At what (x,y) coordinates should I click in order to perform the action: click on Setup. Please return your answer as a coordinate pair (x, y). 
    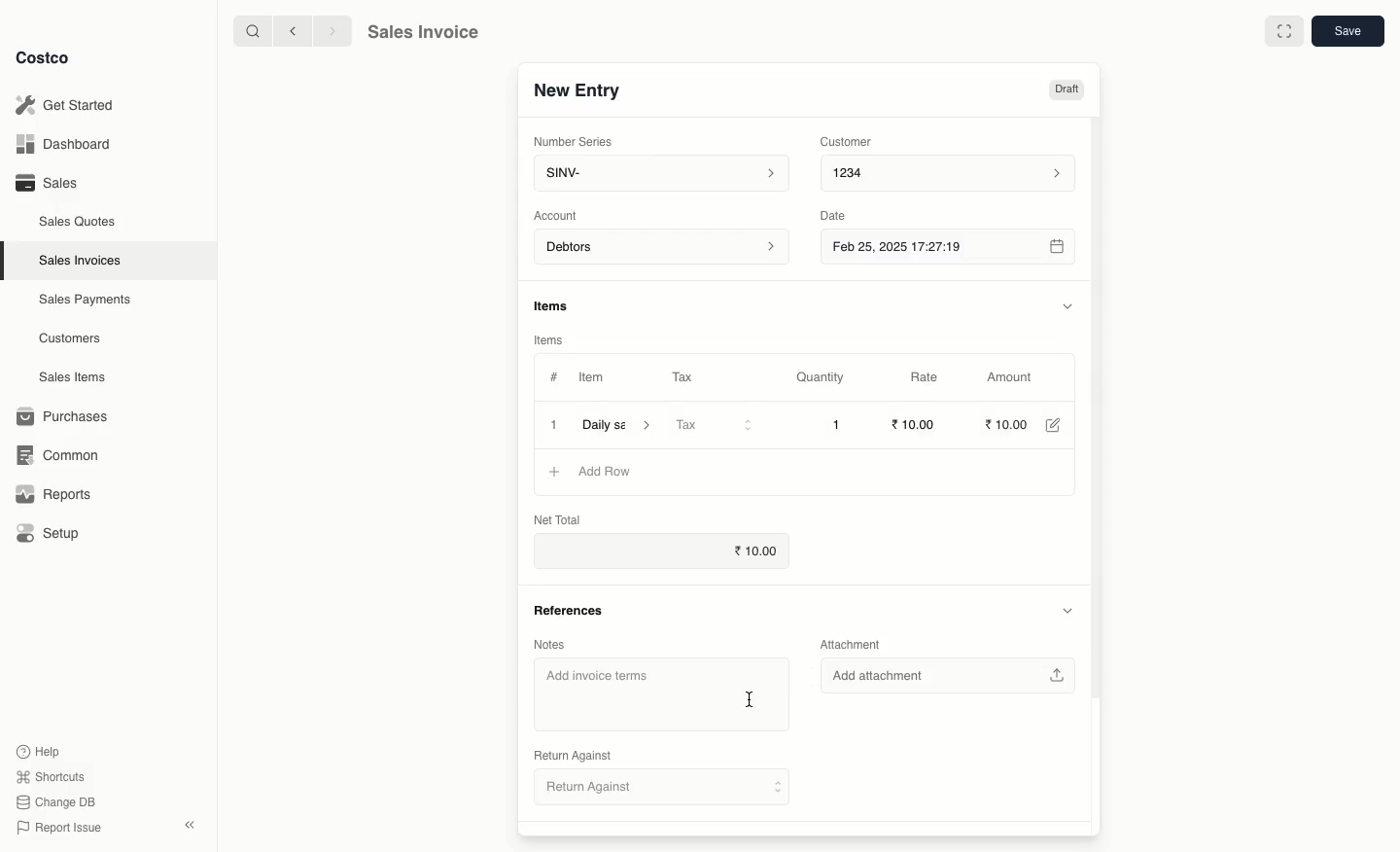
    Looking at the image, I should click on (49, 531).